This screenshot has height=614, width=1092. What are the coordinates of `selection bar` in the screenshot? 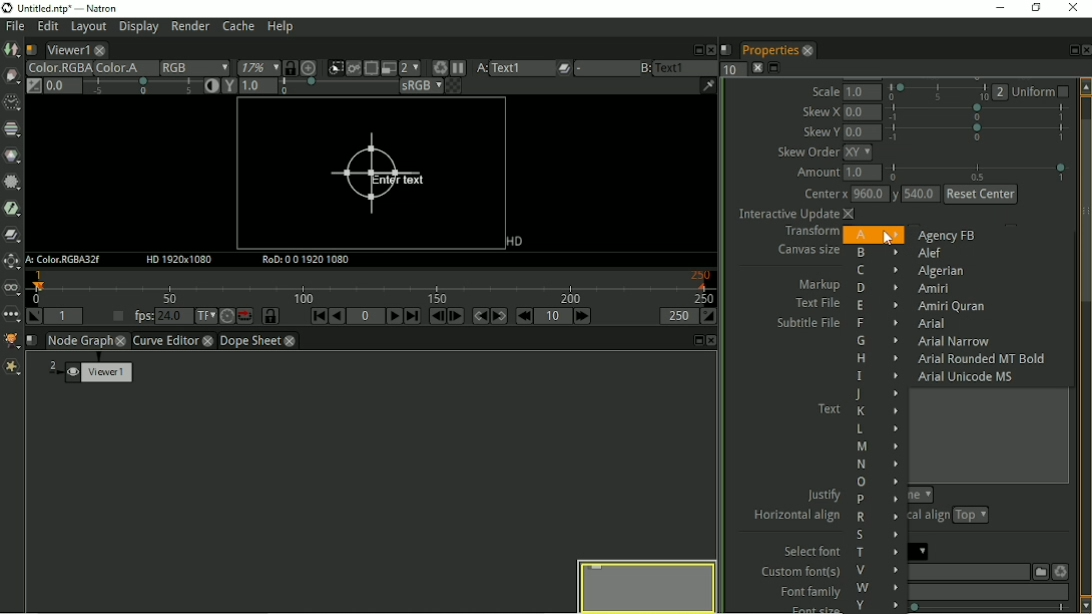 It's located at (938, 92).